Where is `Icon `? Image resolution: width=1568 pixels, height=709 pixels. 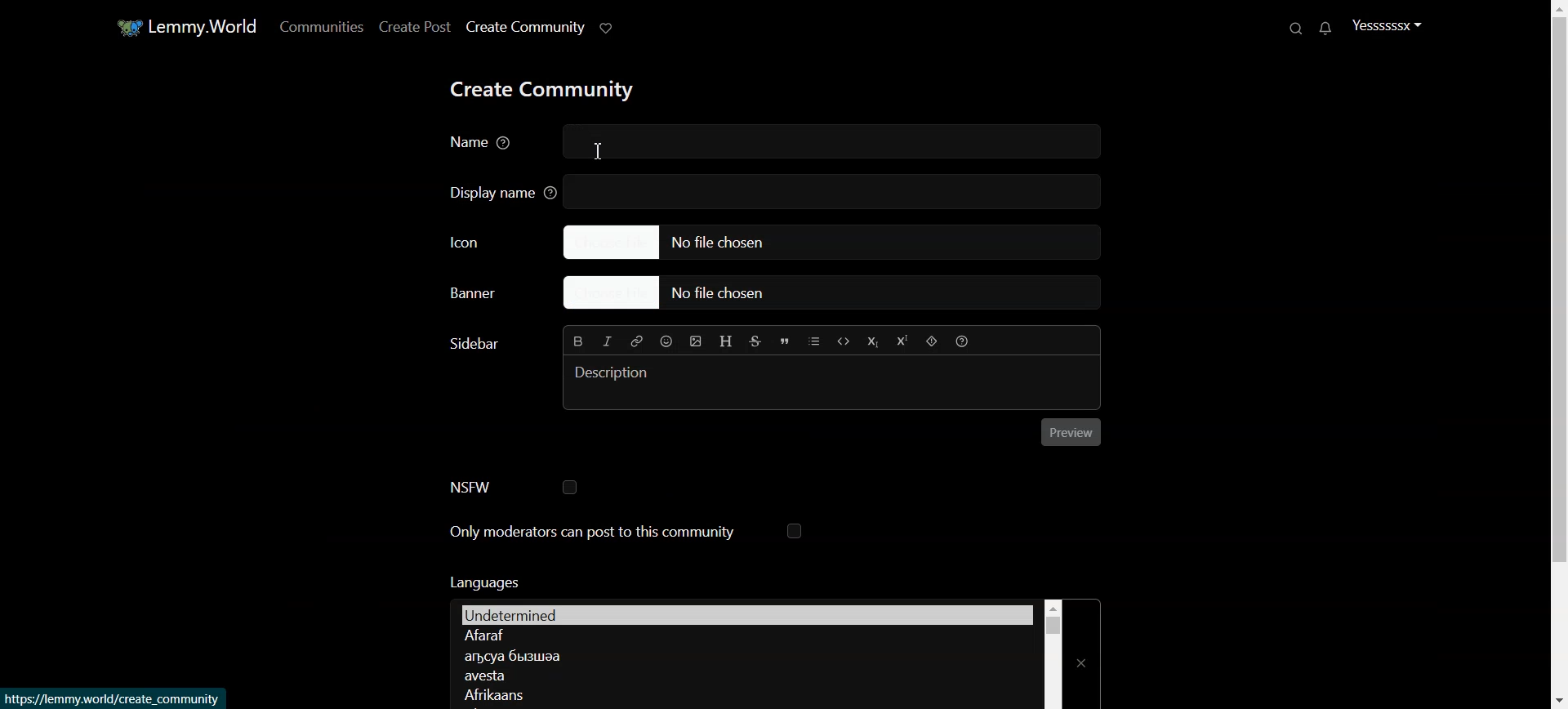
Icon  is located at coordinates (491, 240).